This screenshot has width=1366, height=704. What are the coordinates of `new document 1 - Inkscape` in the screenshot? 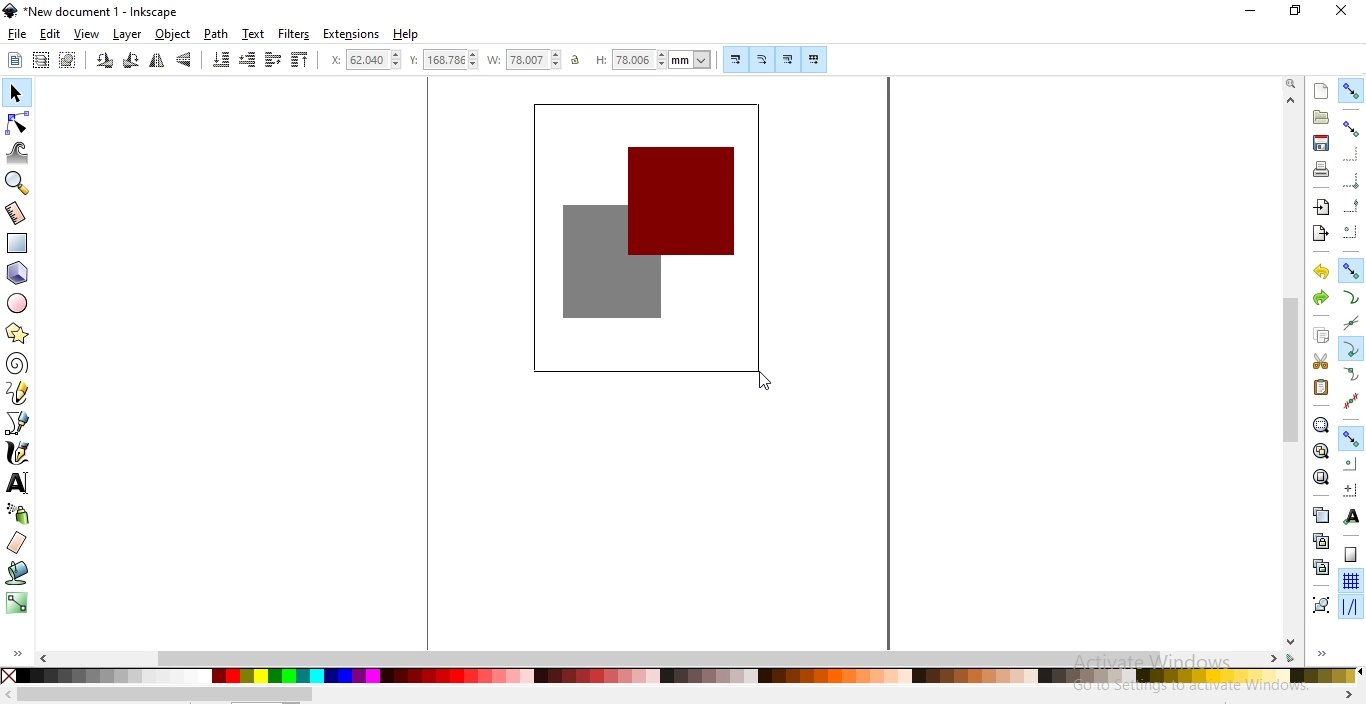 It's located at (92, 11).